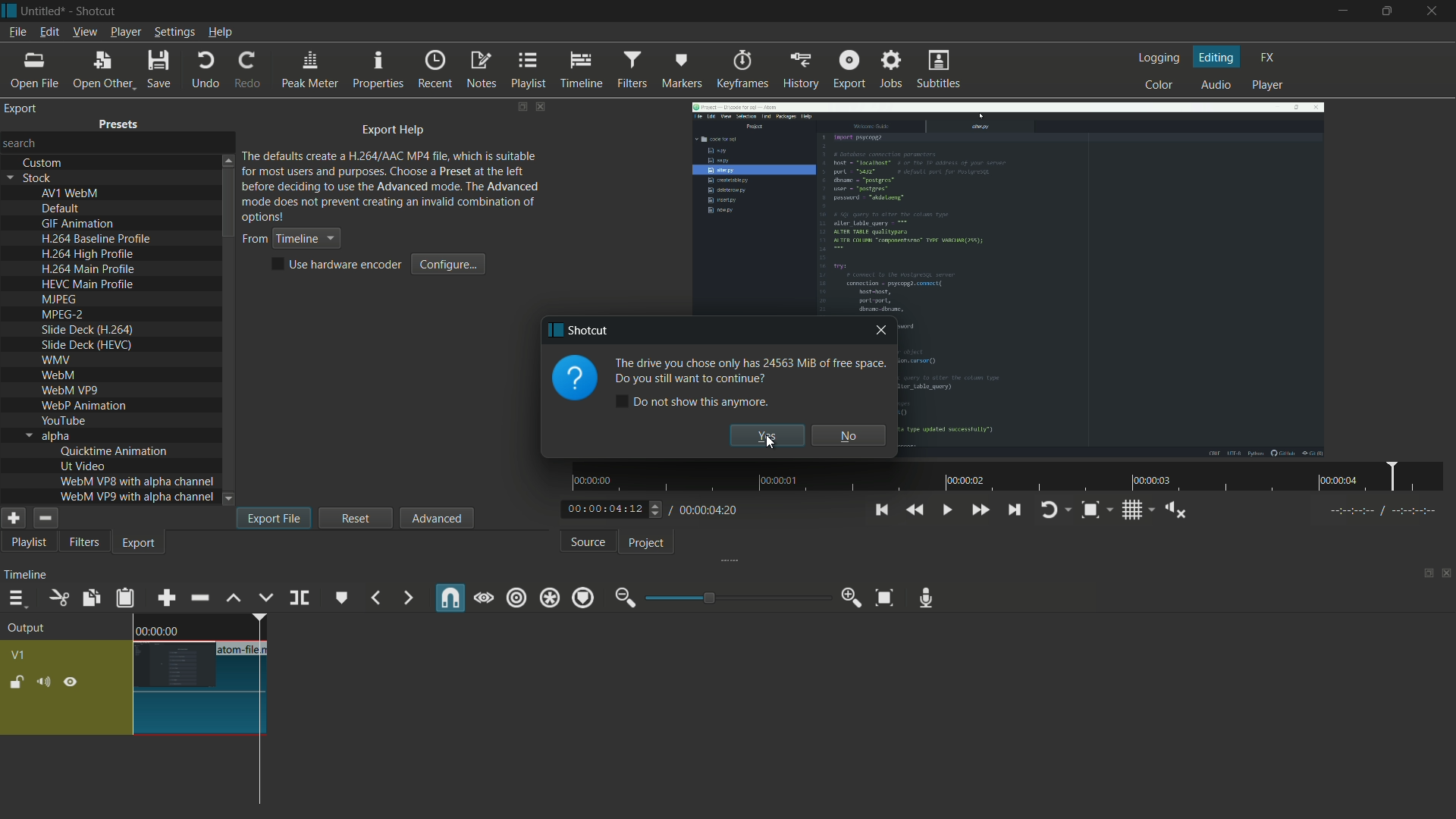 The image size is (1456, 819). Describe the element at coordinates (392, 185) in the screenshot. I see `text` at that location.